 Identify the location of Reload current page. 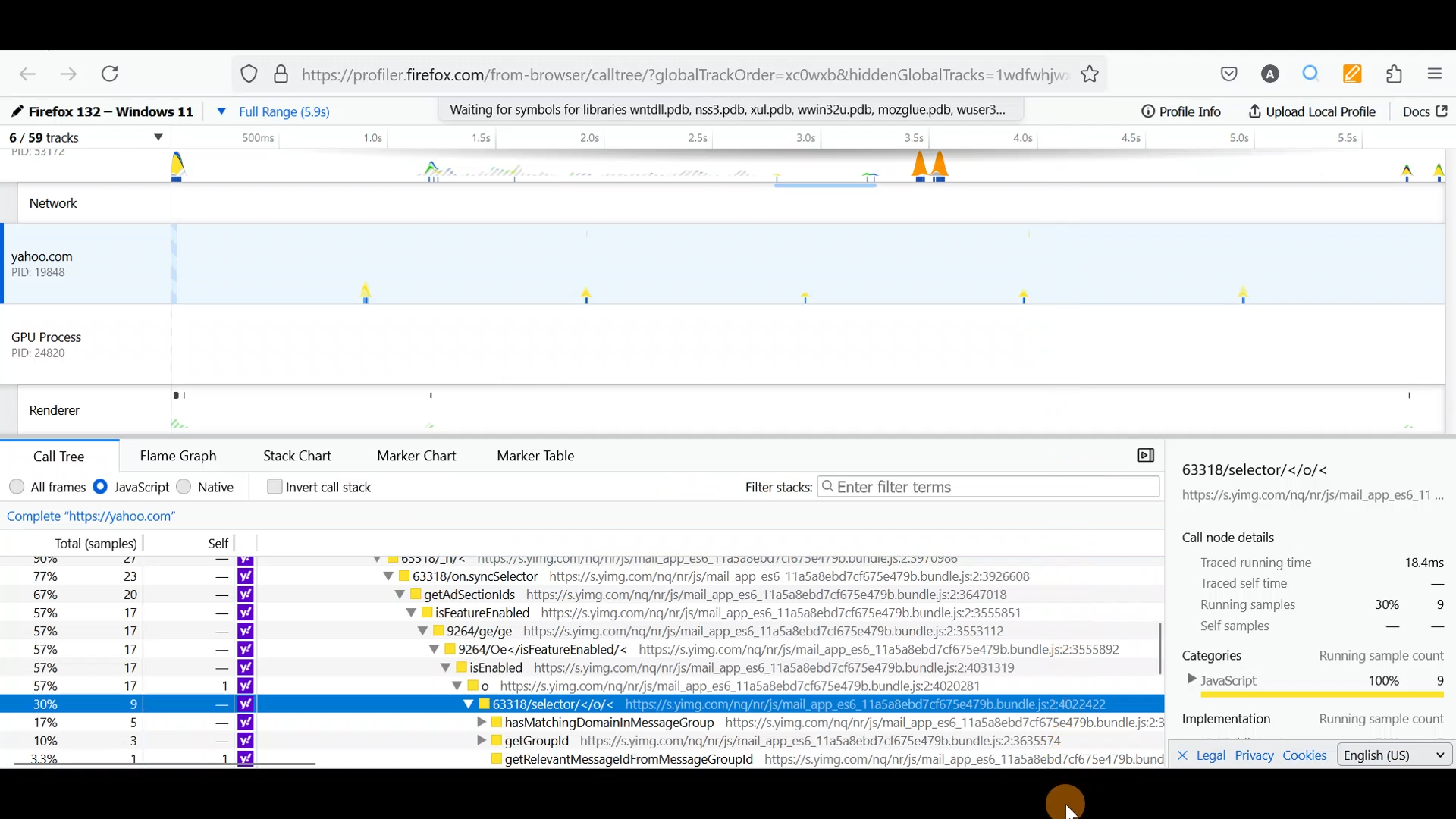
(121, 76).